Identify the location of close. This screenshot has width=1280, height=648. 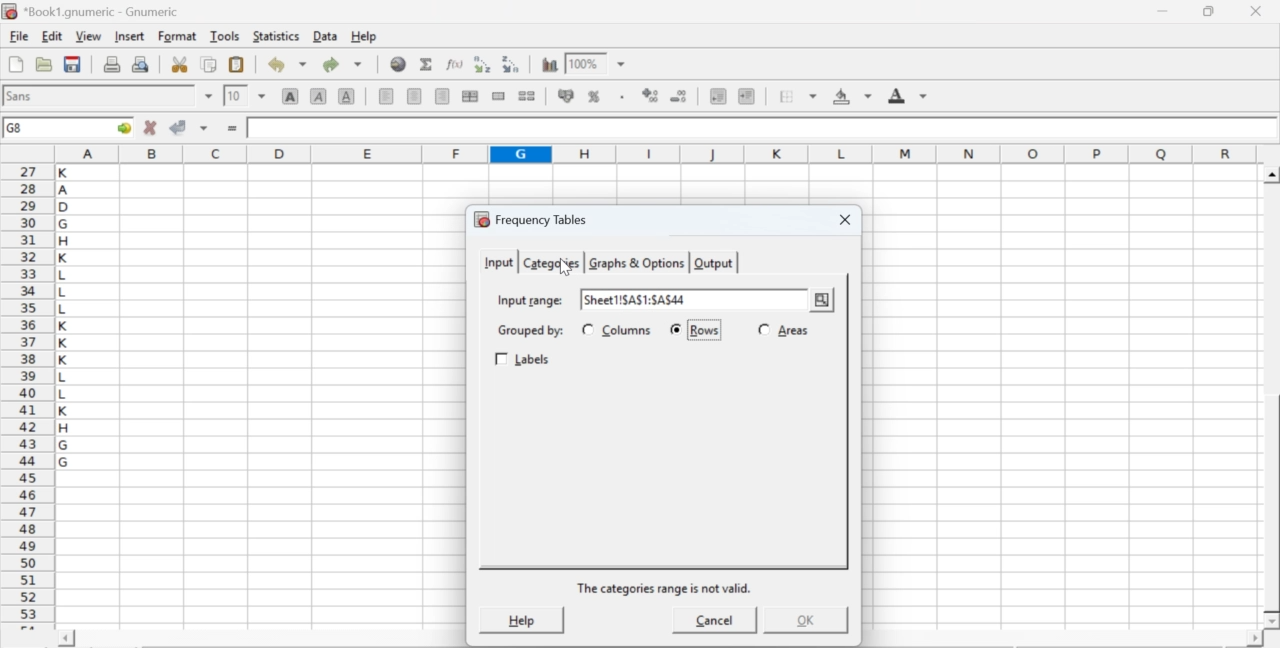
(1254, 11).